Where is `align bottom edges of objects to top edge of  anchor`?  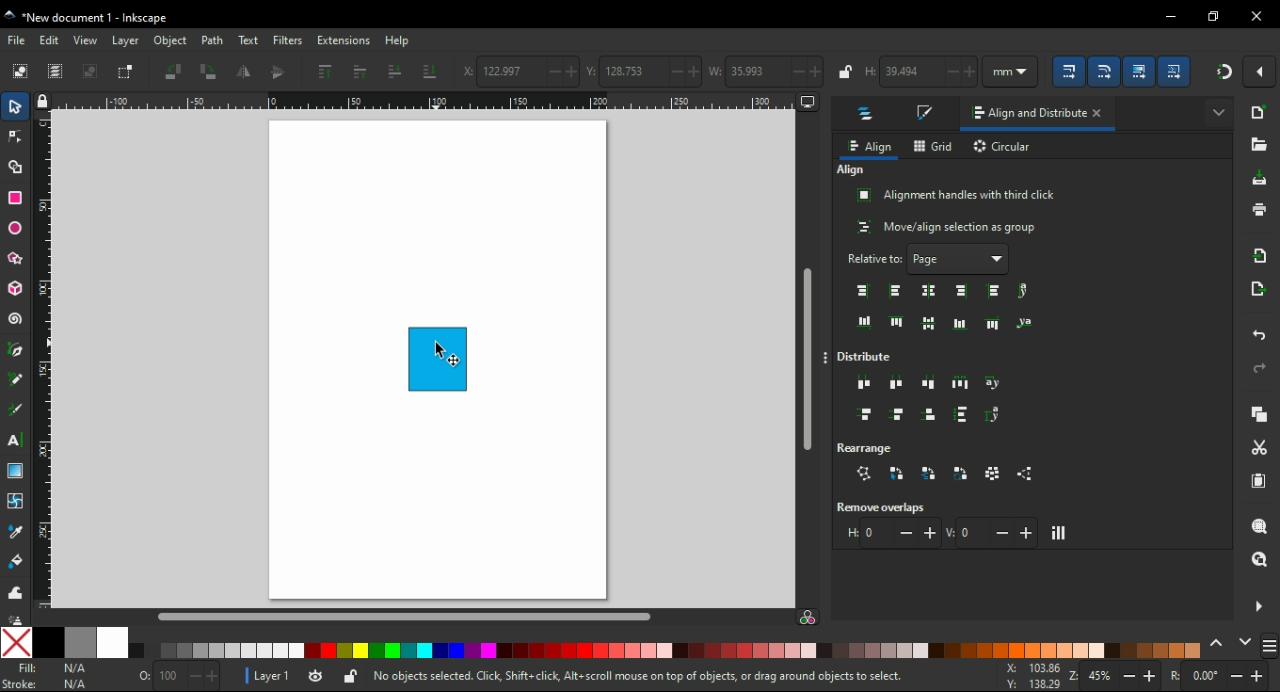 align bottom edges of objects to top edge of  anchor is located at coordinates (861, 319).